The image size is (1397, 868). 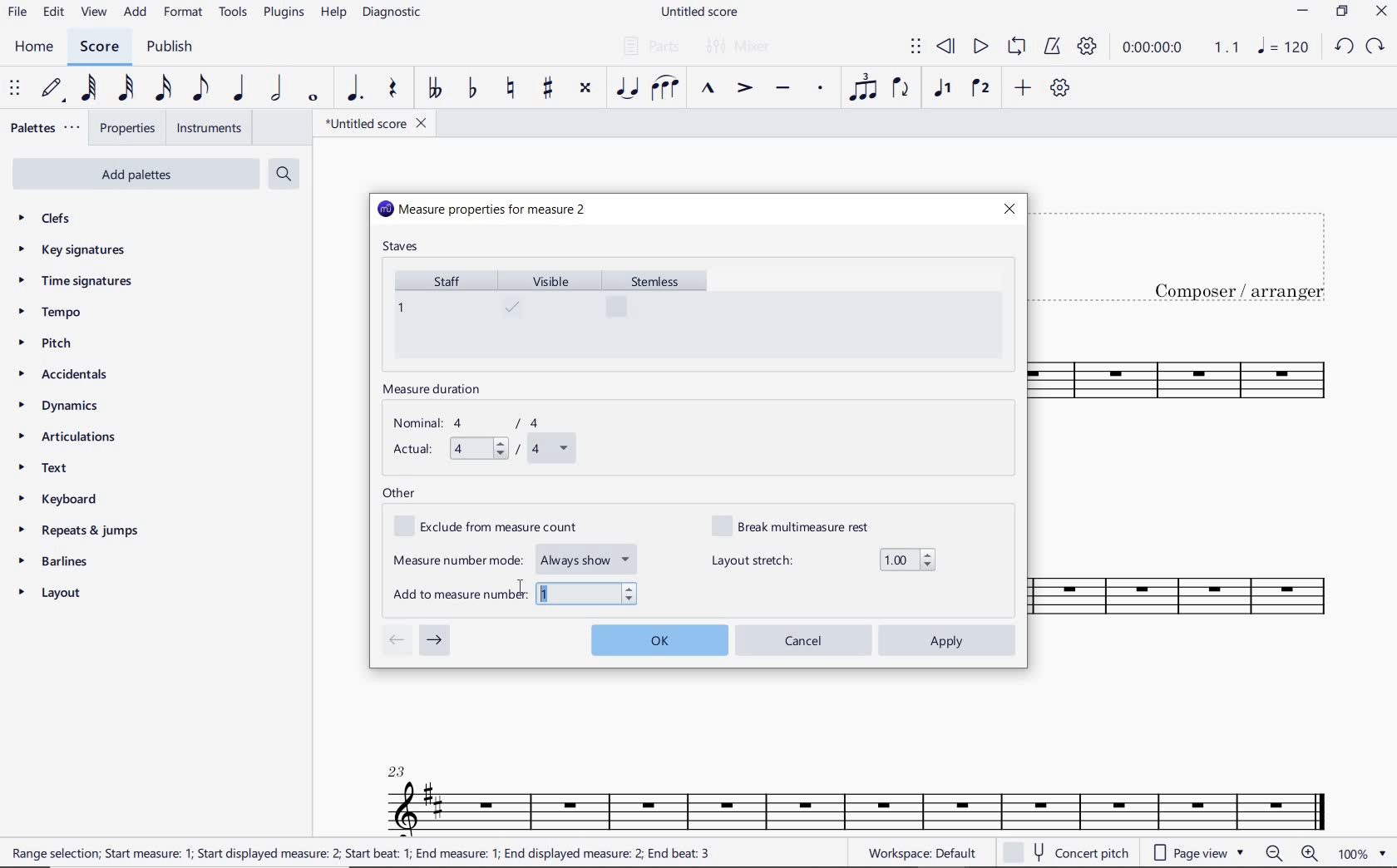 I want to click on 64TH NOTE, so click(x=91, y=89).